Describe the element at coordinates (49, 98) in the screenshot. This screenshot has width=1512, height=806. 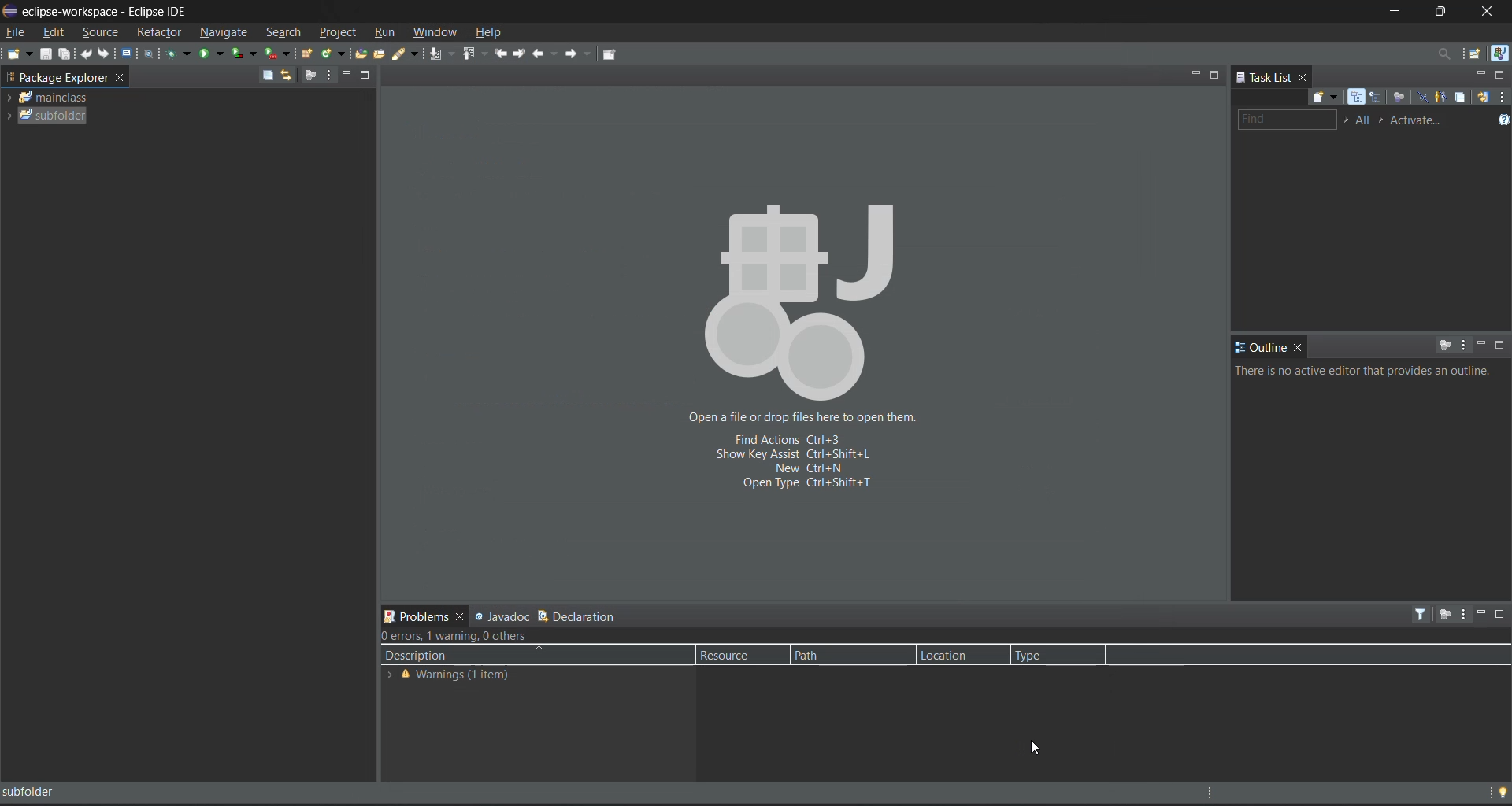
I see `folder` at that location.